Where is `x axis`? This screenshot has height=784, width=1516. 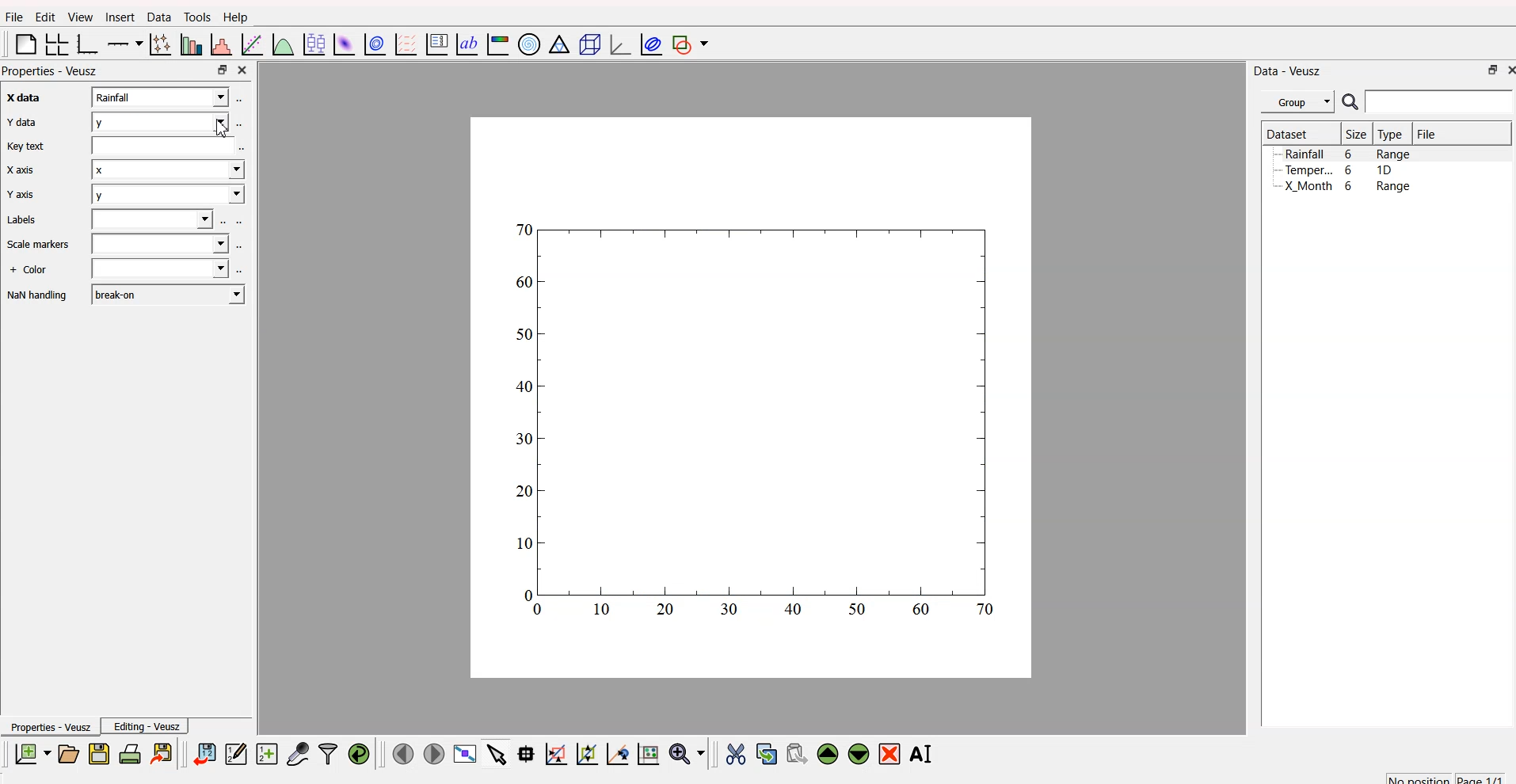 x axis is located at coordinates (19, 99).